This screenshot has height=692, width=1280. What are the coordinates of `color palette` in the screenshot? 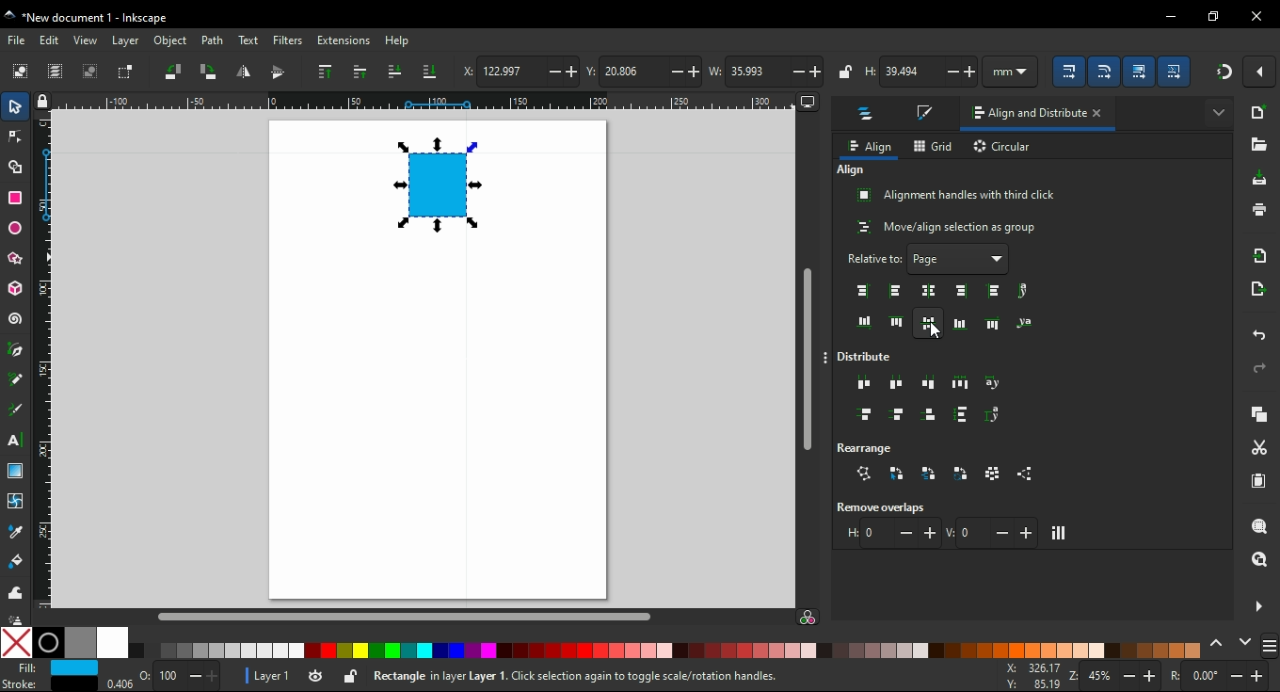 It's located at (668, 651).